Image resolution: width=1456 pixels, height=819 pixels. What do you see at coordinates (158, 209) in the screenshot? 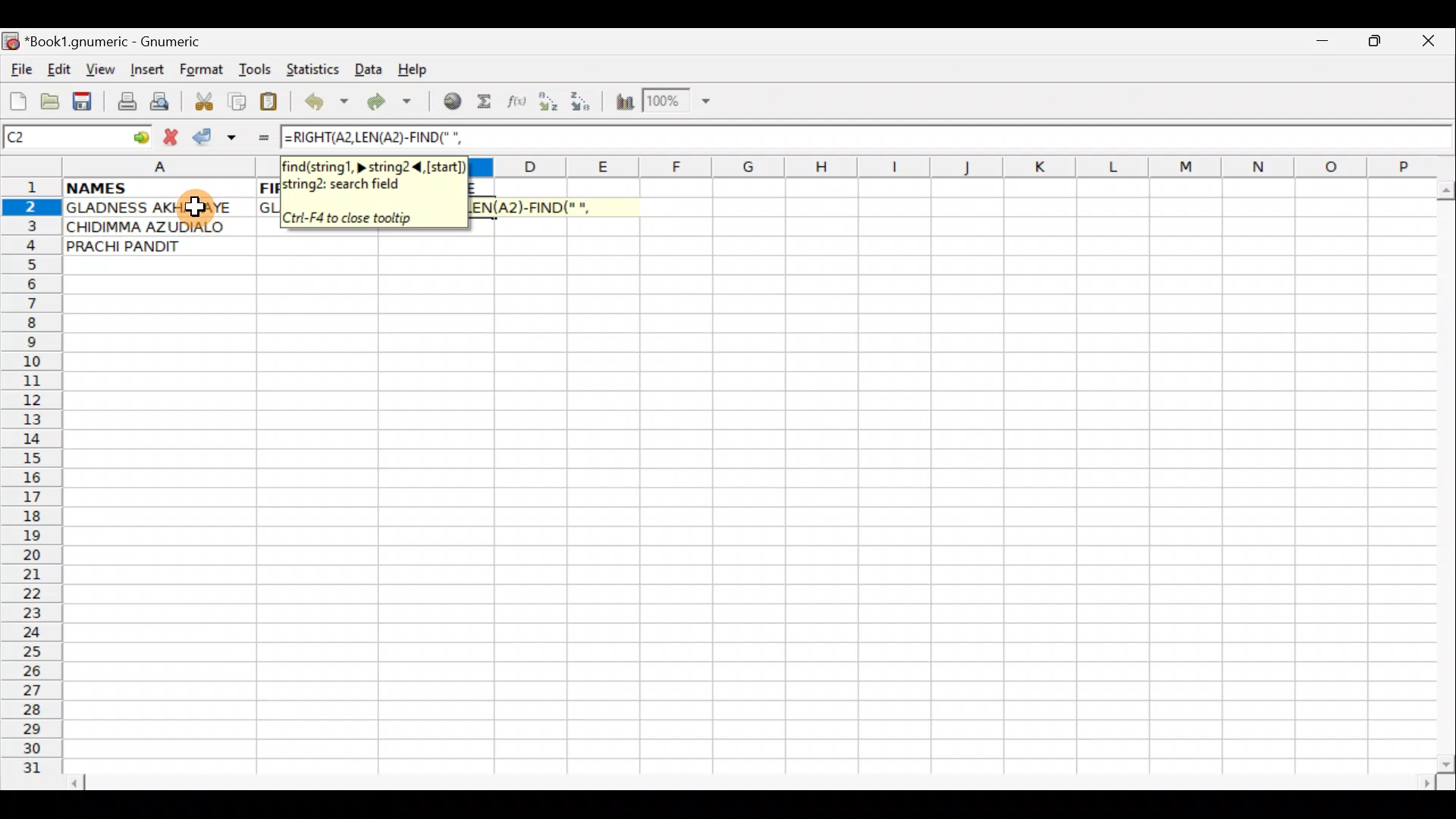
I see `GLADNESS AKHARAYE` at bounding box center [158, 209].